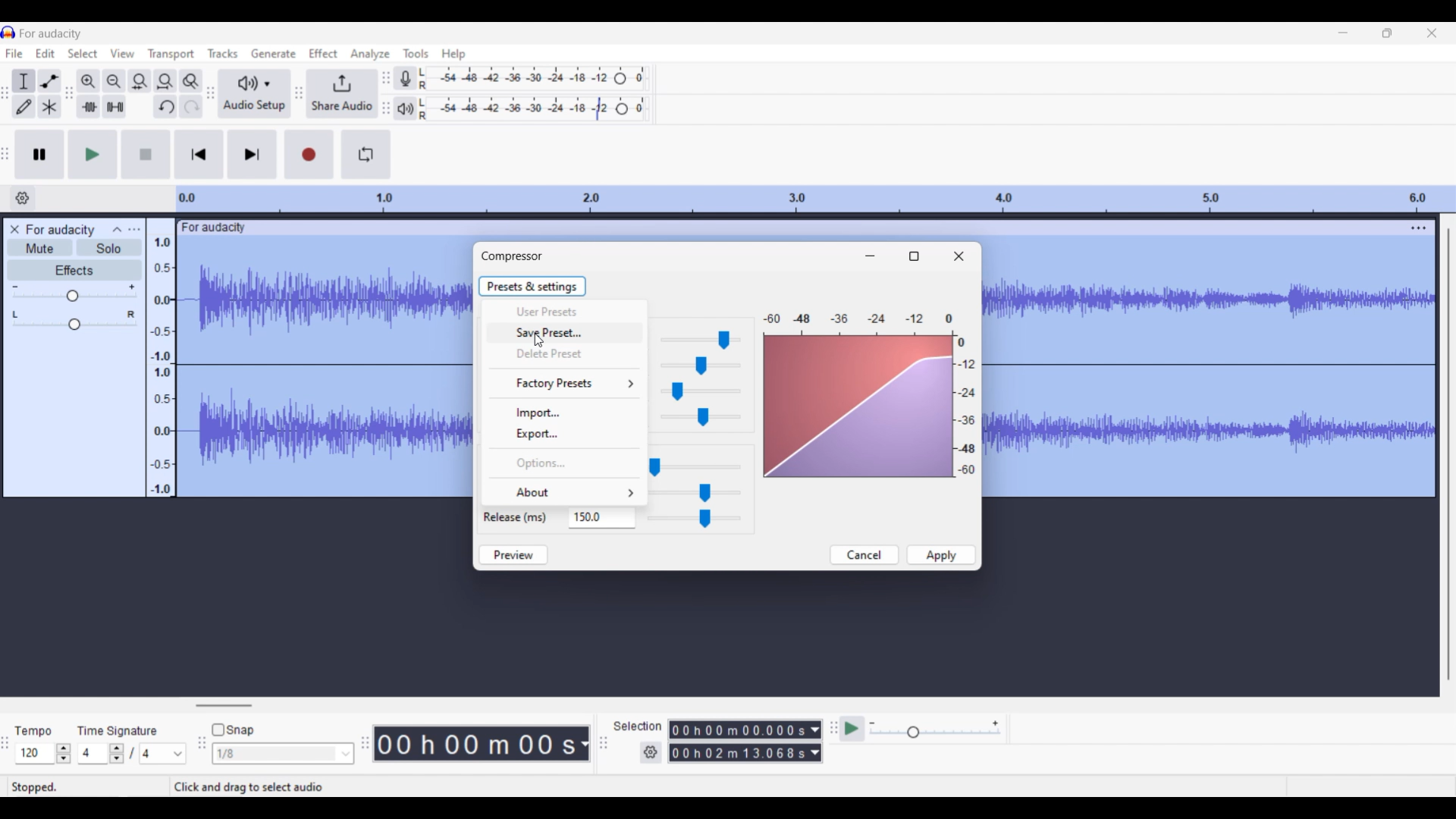  Describe the element at coordinates (565, 435) in the screenshot. I see `Export` at that location.